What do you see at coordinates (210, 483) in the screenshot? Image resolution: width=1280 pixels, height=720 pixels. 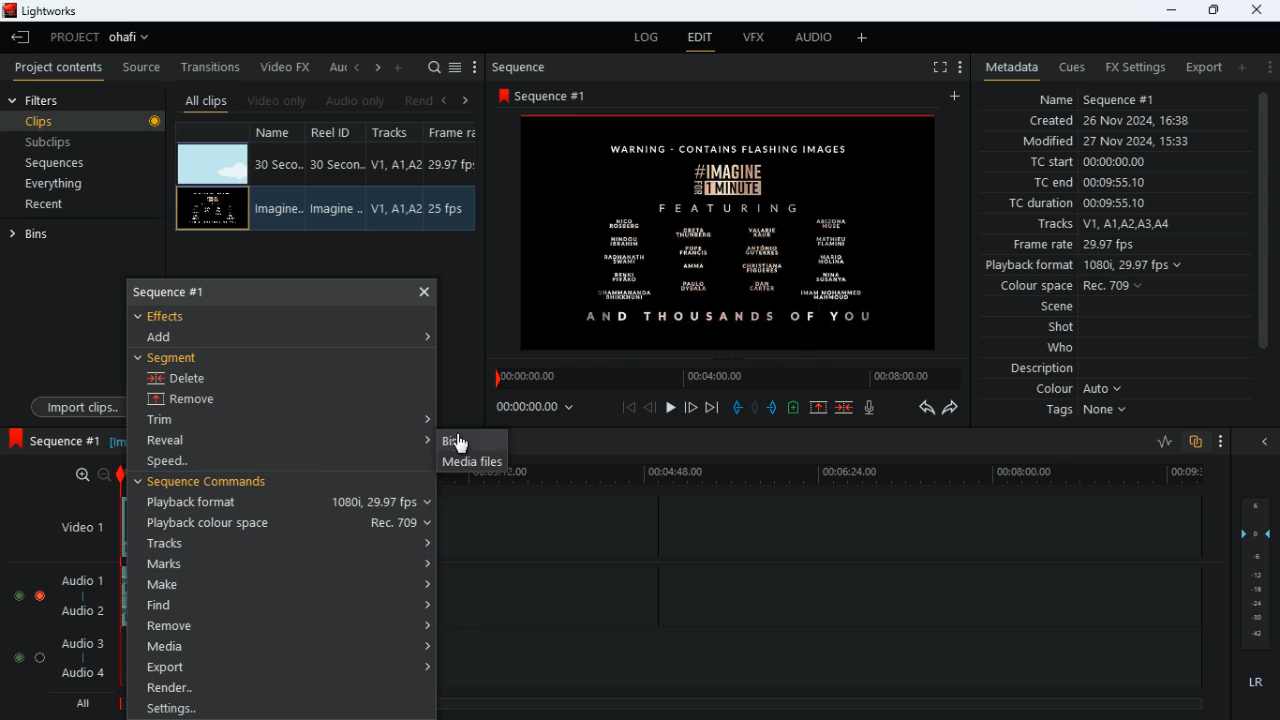 I see `sequence command` at bounding box center [210, 483].